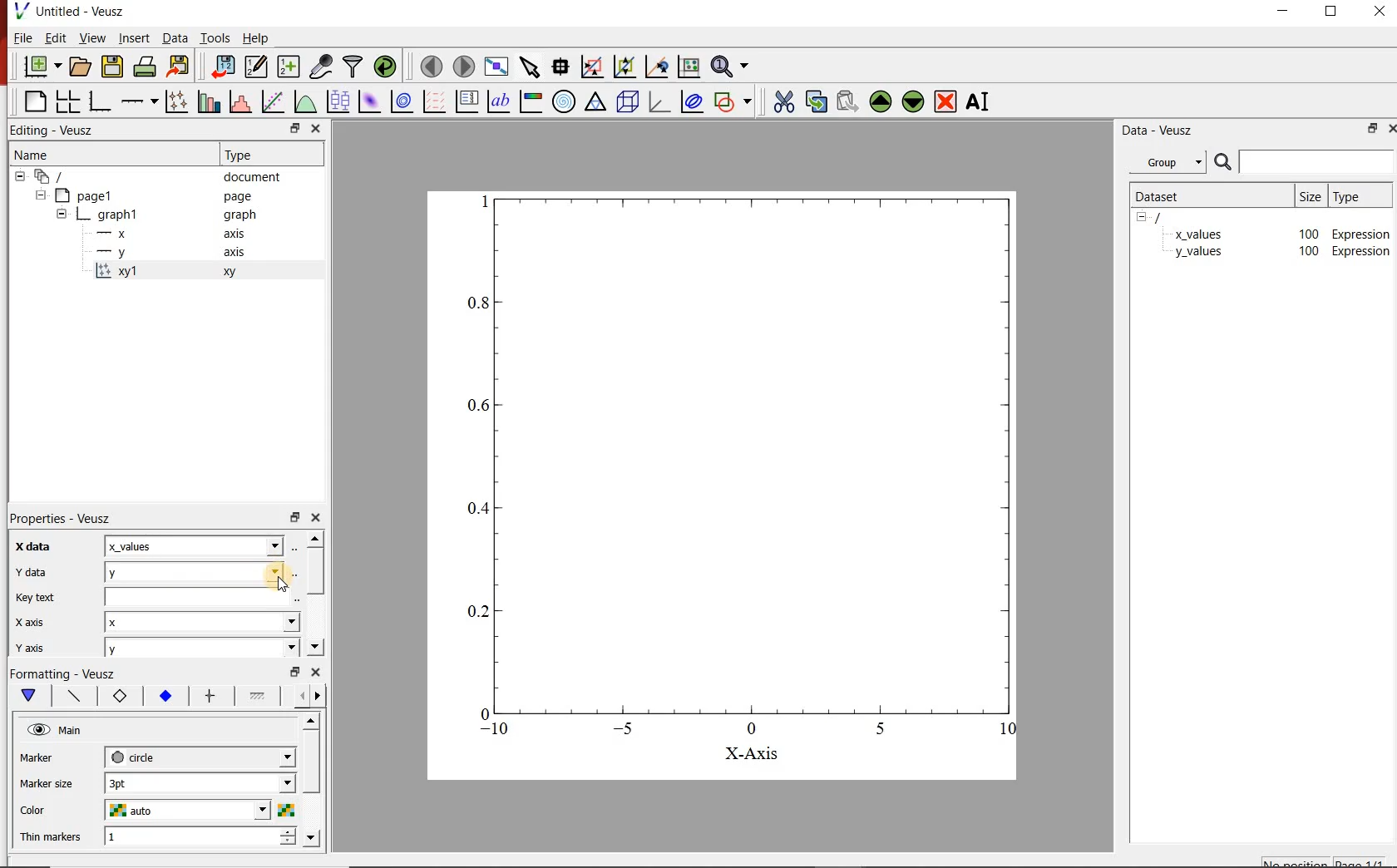 The height and width of the screenshot is (868, 1397). Describe the element at coordinates (51, 837) in the screenshot. I see `Thin markers` at that location.